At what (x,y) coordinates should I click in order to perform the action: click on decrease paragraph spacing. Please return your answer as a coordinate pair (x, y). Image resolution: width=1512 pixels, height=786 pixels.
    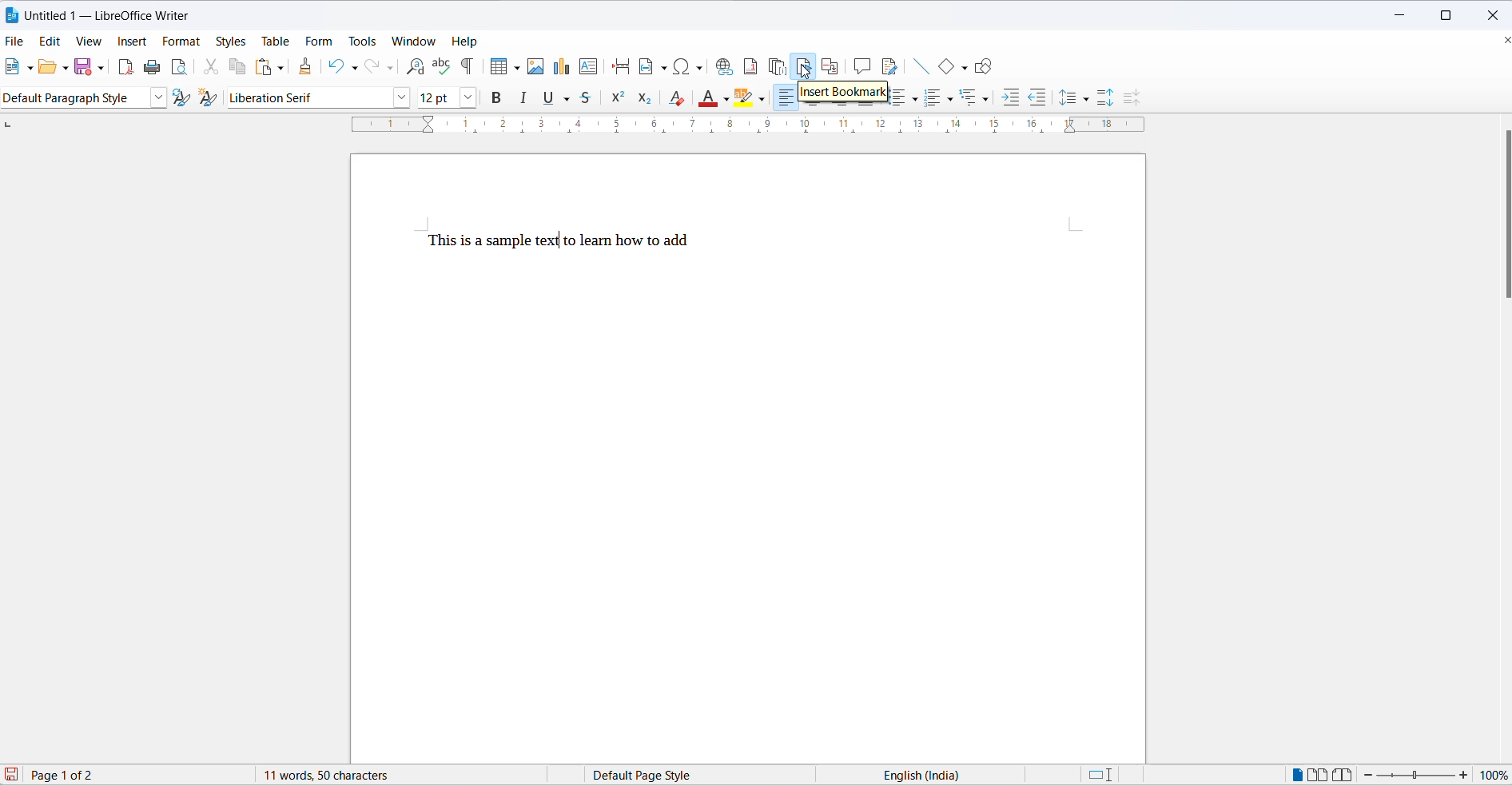
    Looking at the image, I should click on (1130, 97).